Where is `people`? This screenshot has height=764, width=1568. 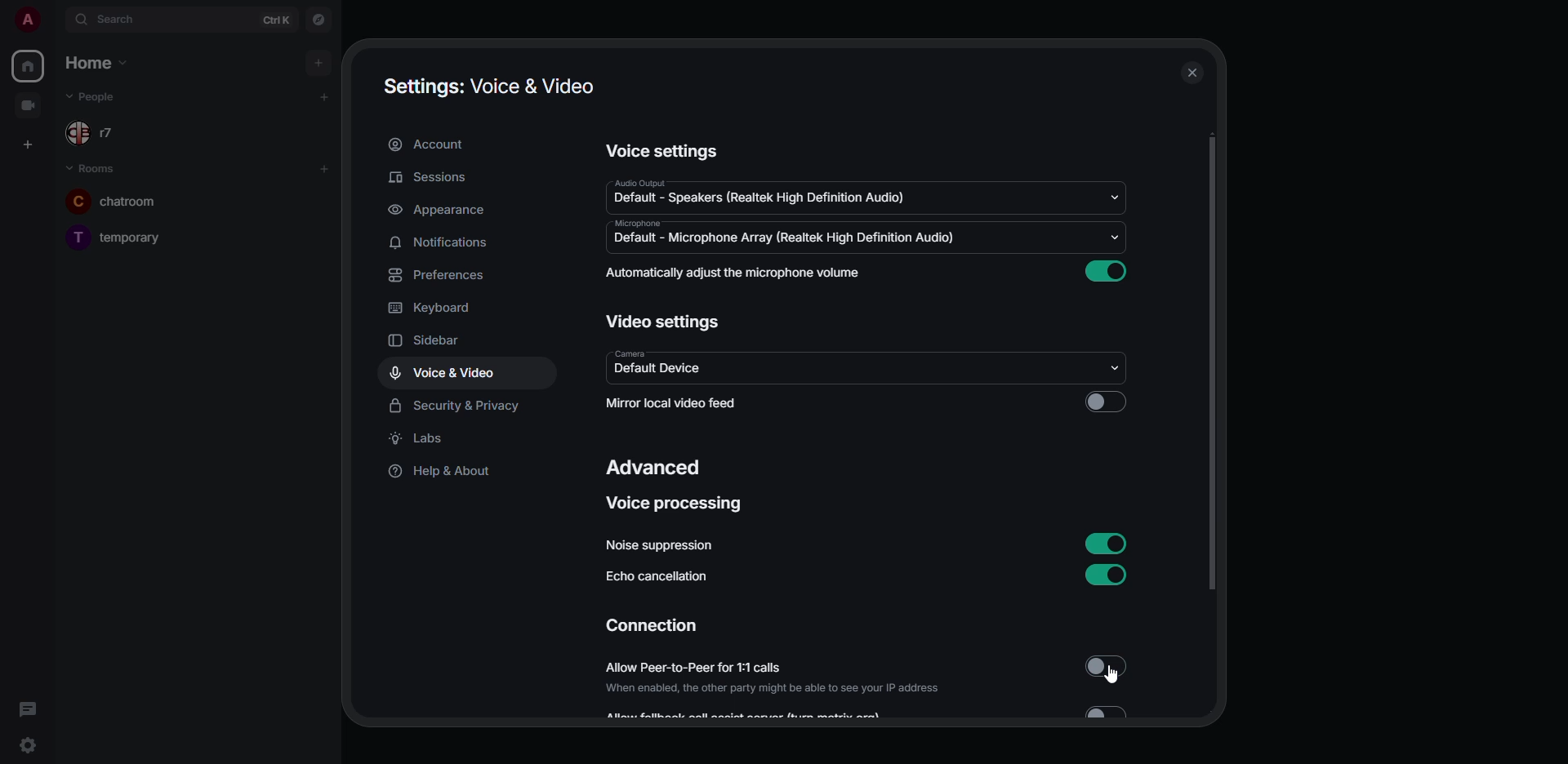 people is located at coordinates (104, 98).